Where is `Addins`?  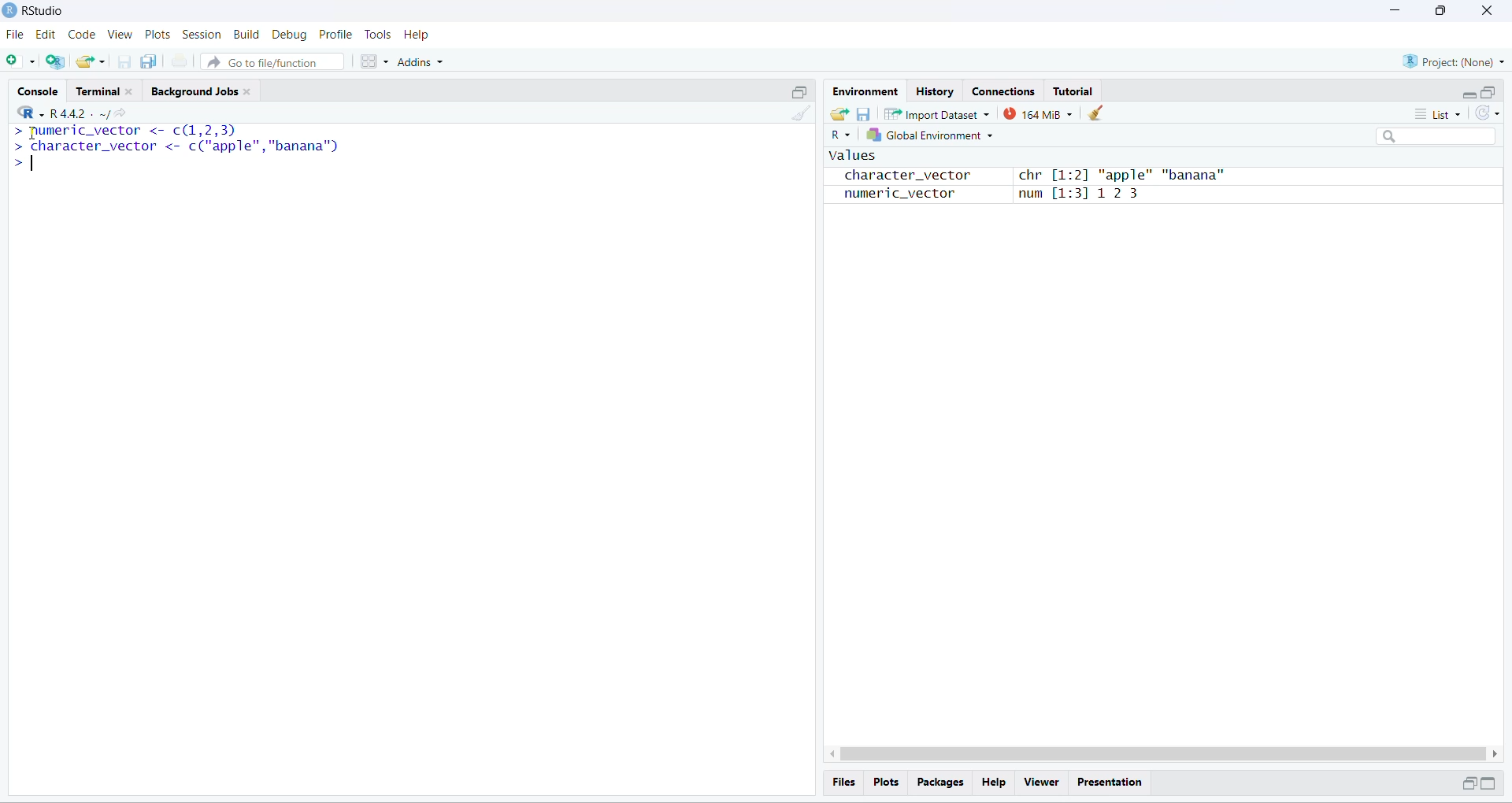 Addins is located at coordinates (421, 62).